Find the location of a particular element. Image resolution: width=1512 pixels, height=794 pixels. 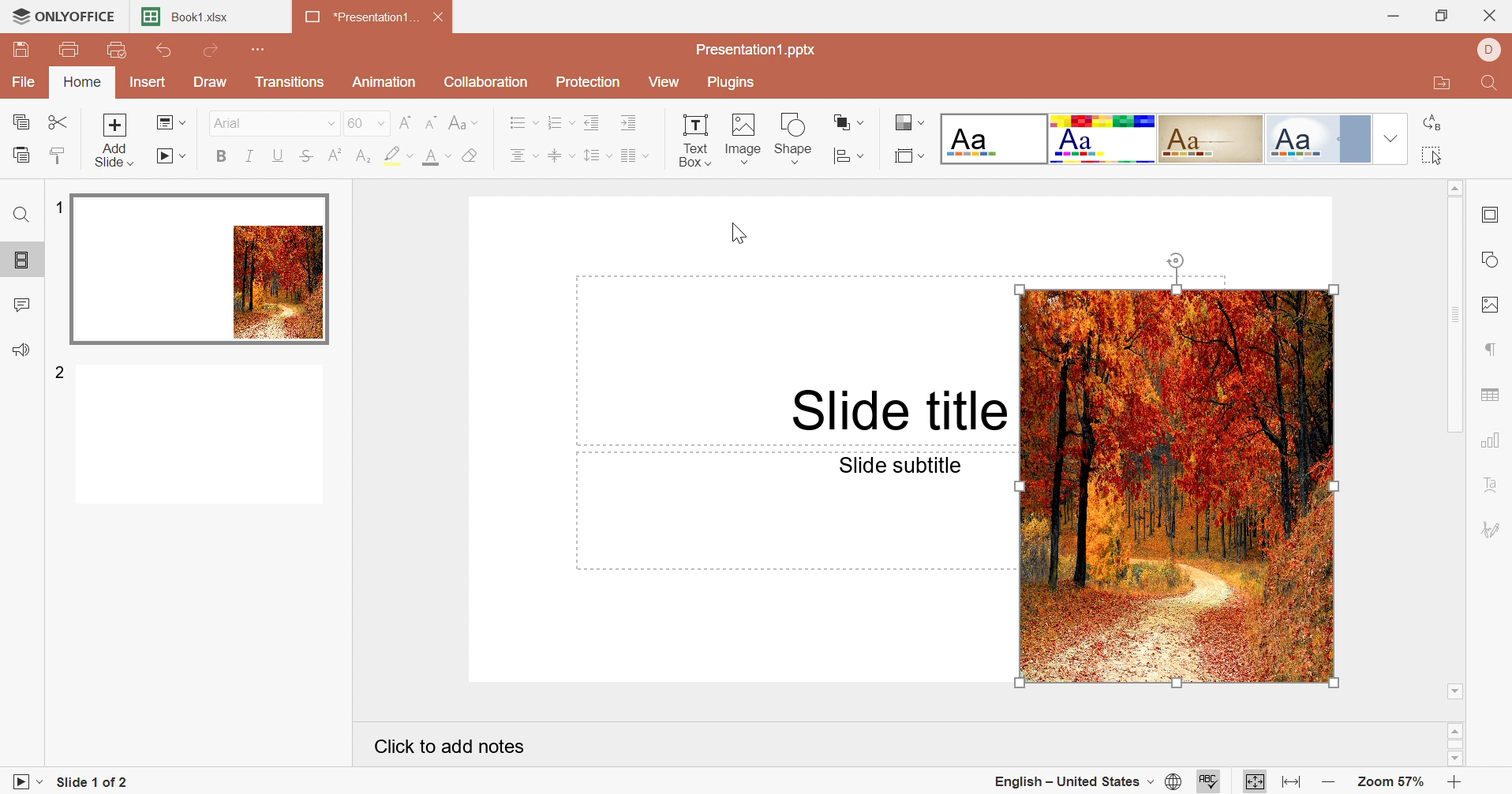

Classic is located at coordinates (1213, 138).